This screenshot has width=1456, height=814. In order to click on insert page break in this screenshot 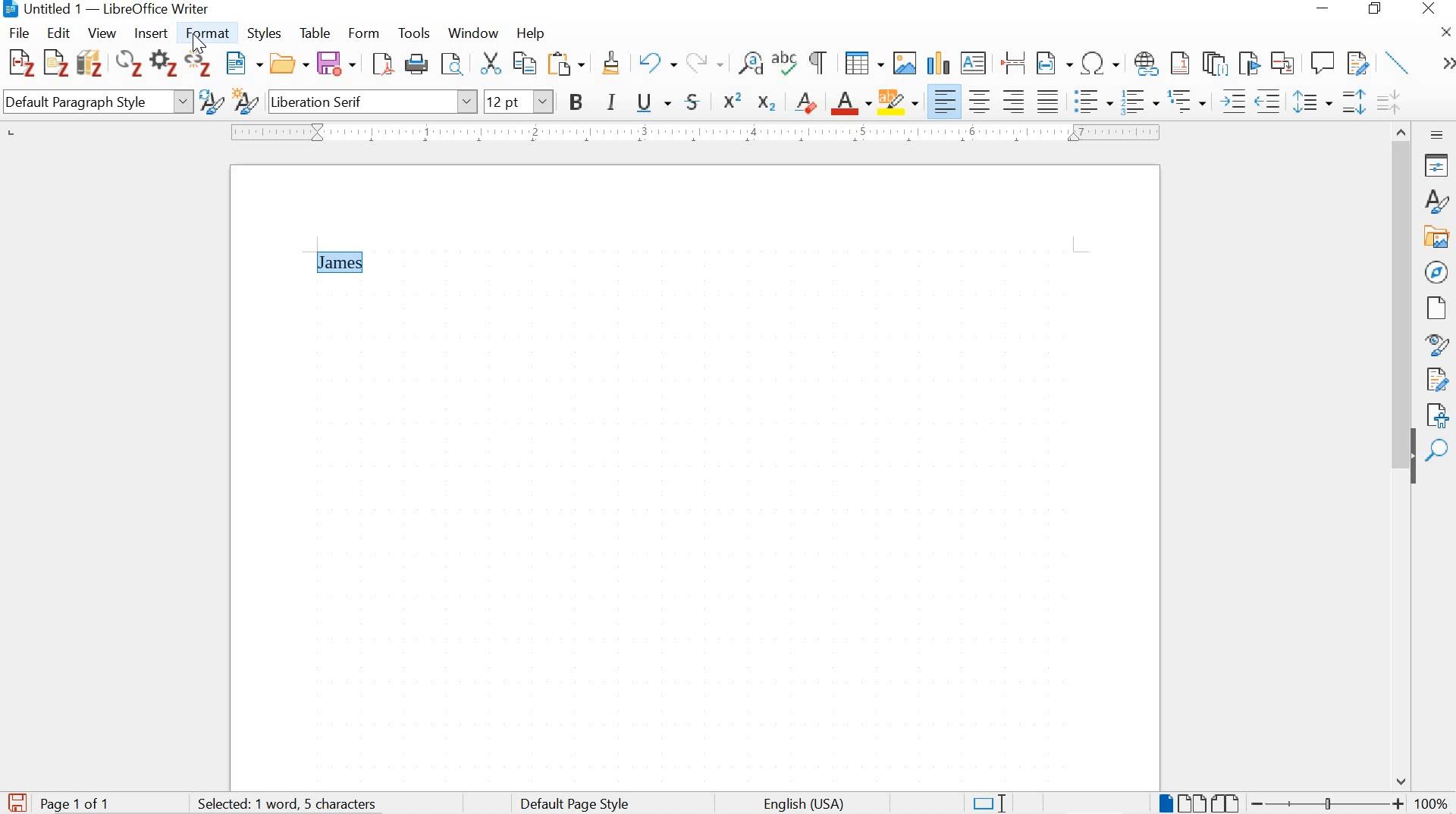, I will do `click(1013, 61)`.